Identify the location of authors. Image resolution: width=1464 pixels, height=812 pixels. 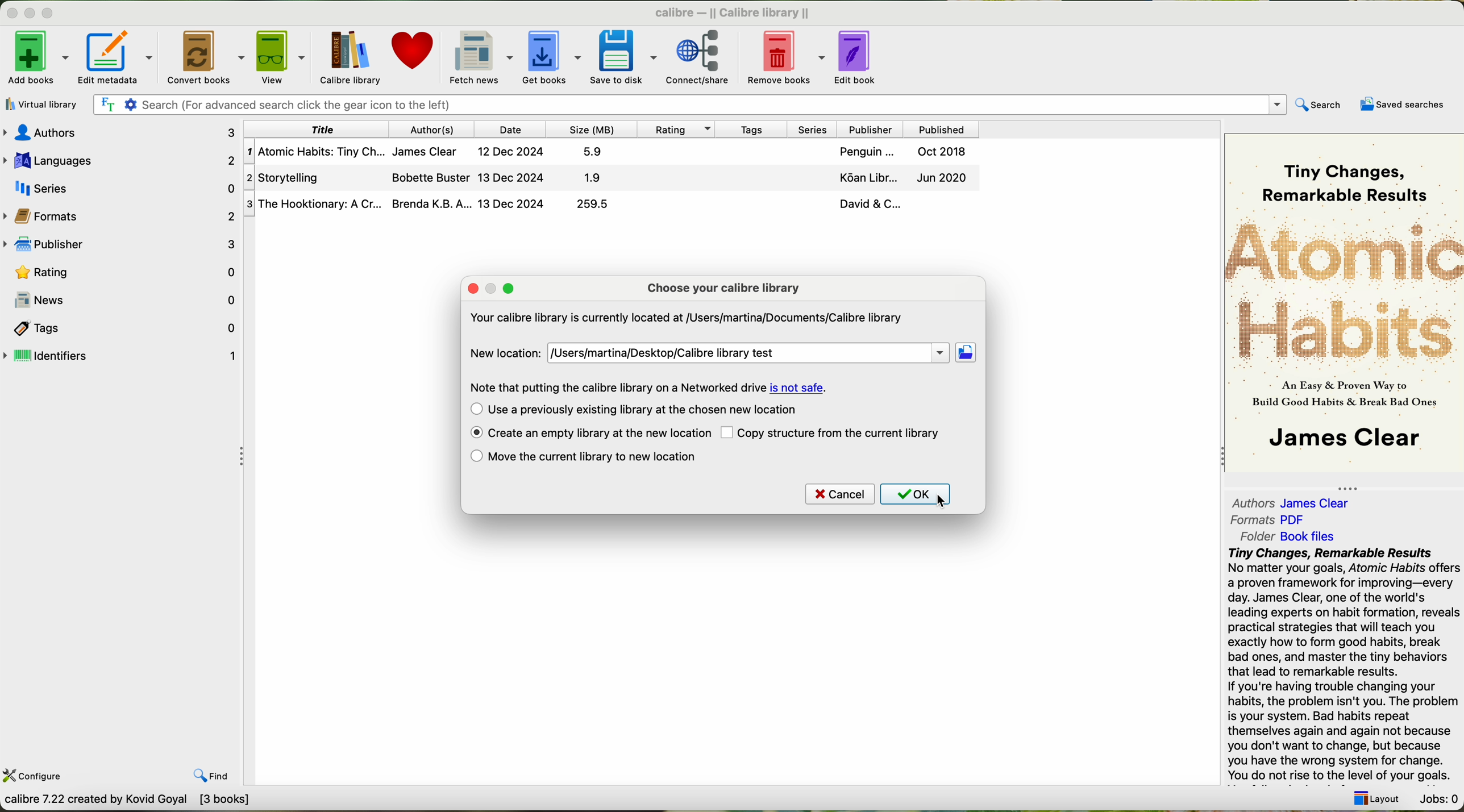
(124, 132).